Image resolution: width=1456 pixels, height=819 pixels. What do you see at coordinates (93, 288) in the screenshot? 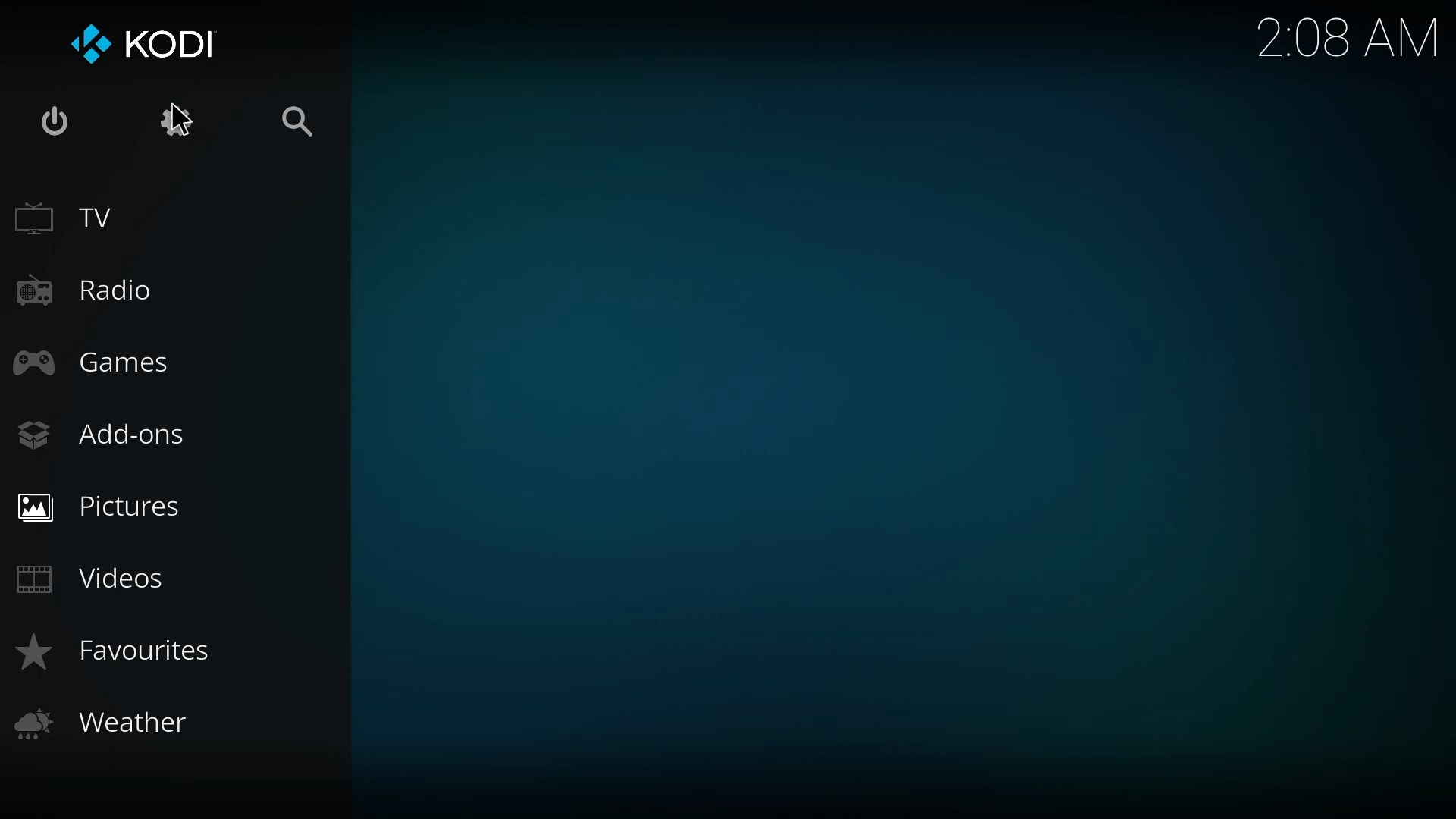
I see `radio` at bounding box center [93, 288].